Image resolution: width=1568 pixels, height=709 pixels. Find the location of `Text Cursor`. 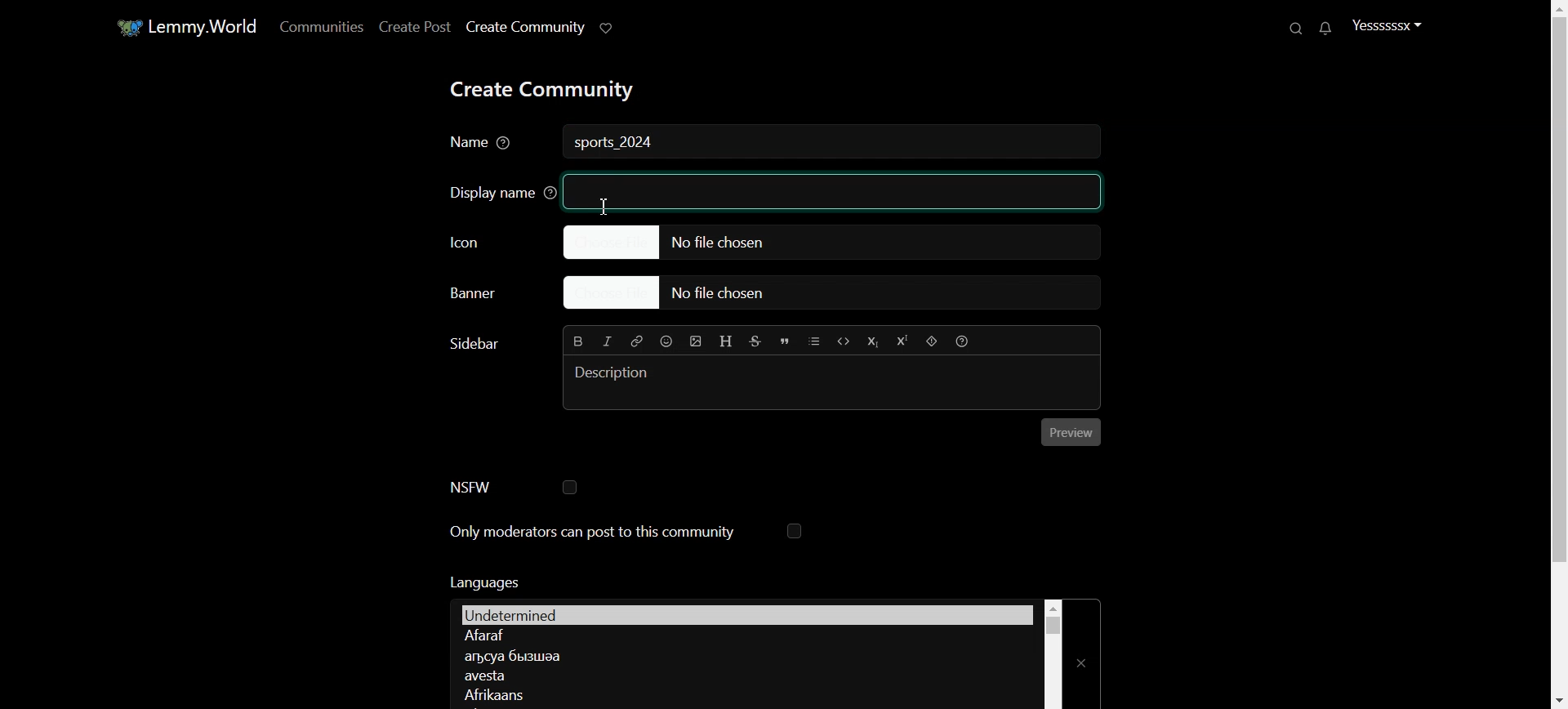

Text Cursor is located at coordinates (605, 208).